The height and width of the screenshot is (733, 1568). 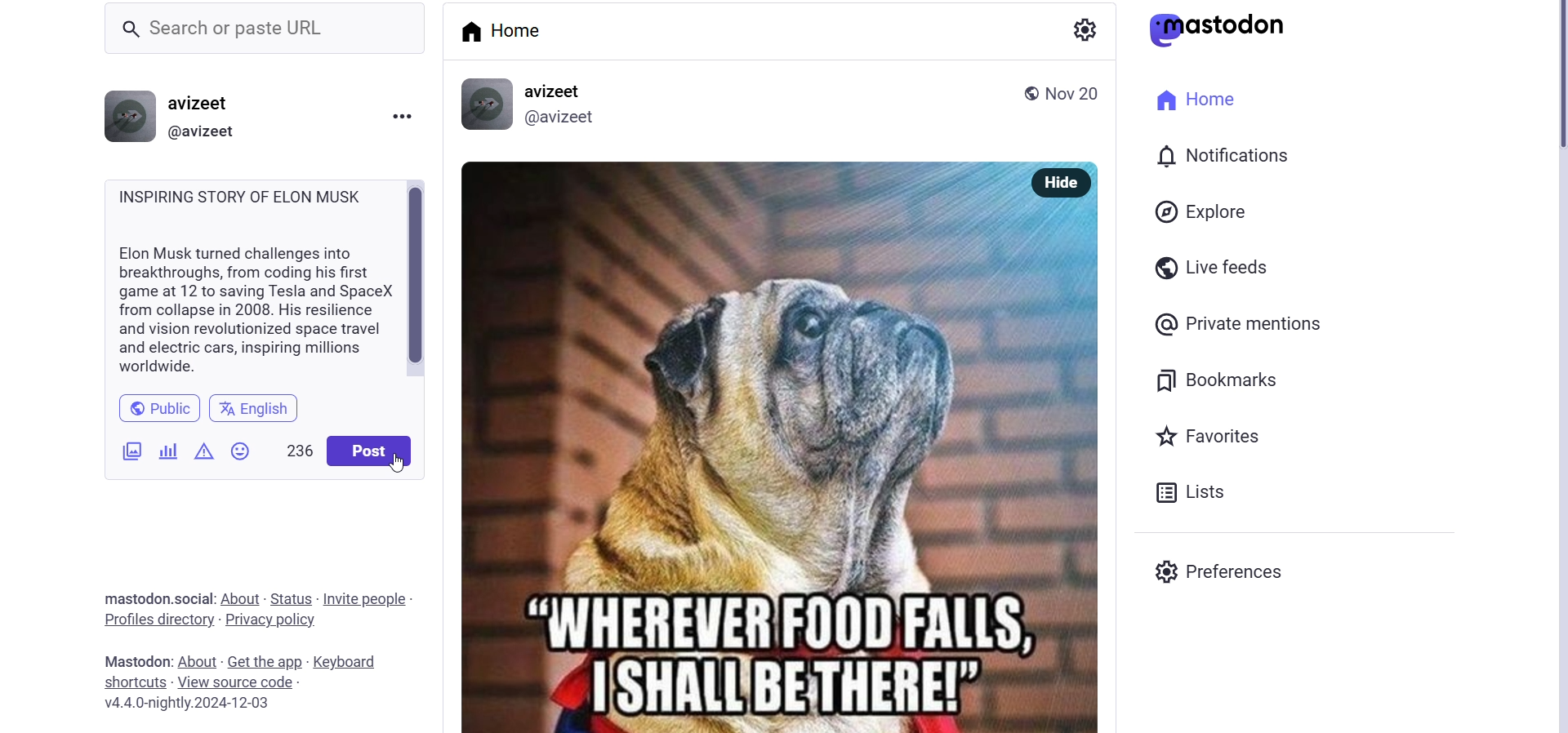 I want to click on about, so click(x=240, y=598).